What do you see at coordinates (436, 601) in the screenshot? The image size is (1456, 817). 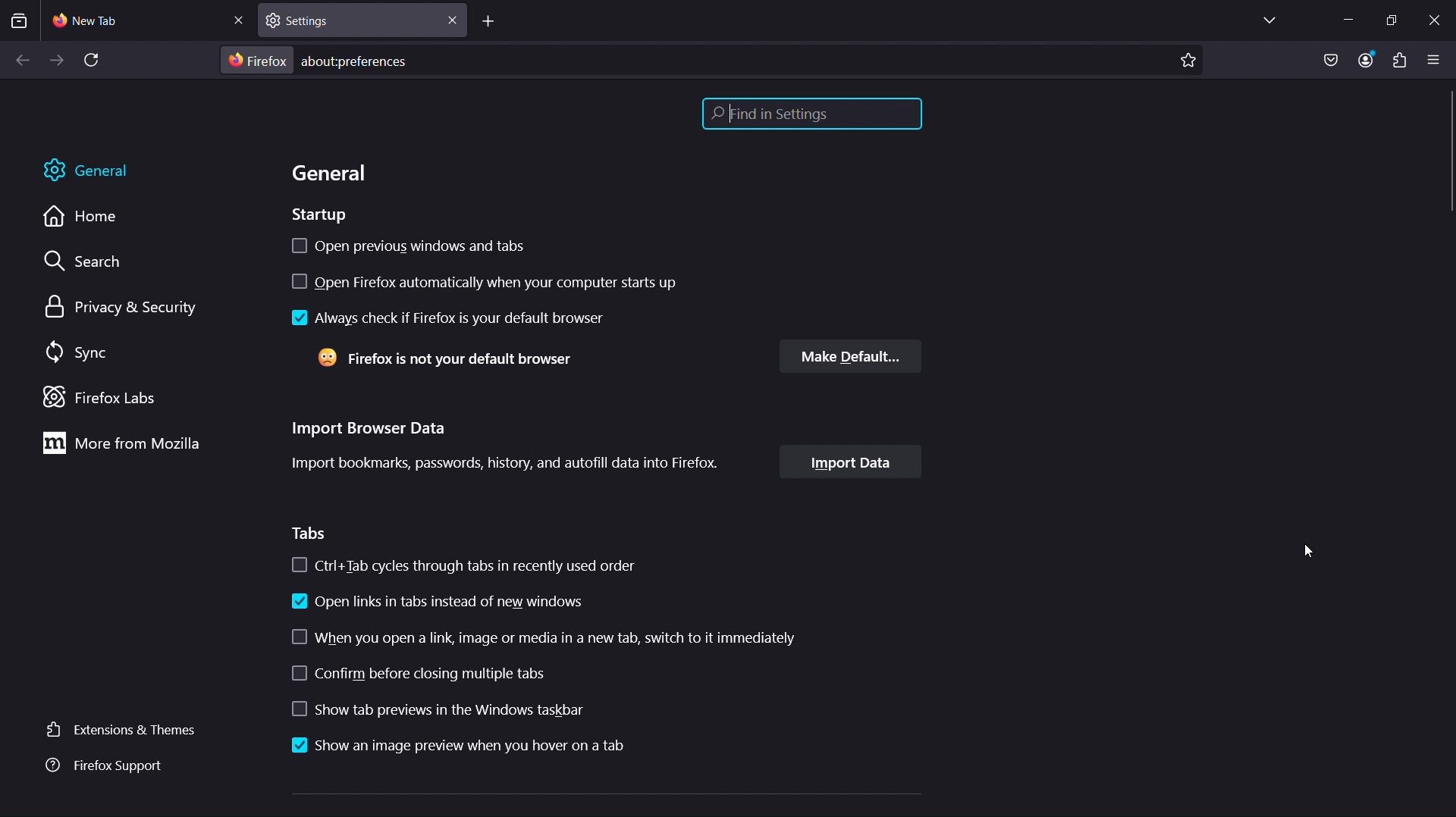 I see `Open links in tabs instead of new windows` at bounding box center [436, 601].